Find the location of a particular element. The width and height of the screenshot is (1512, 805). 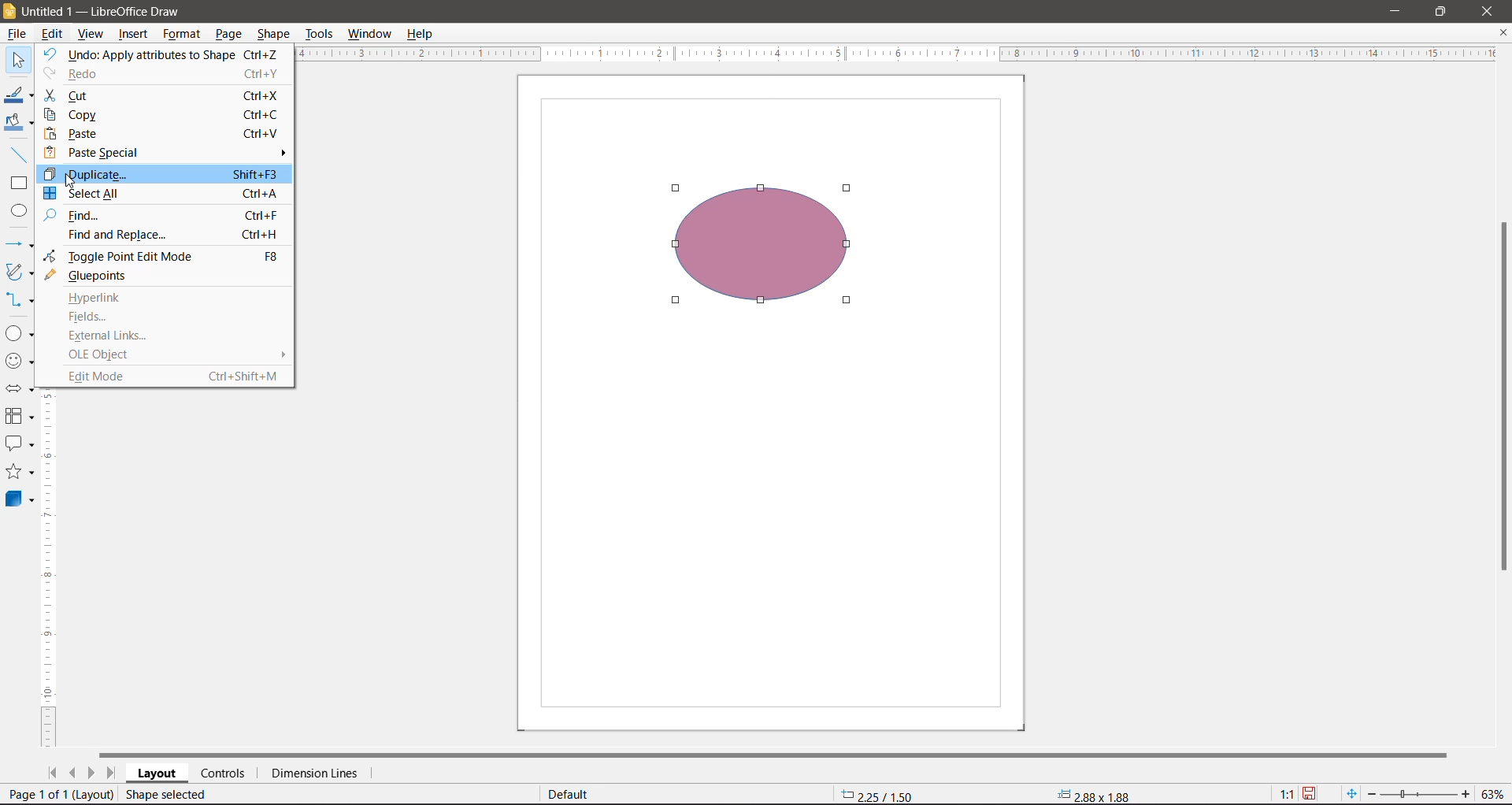

Basic Shapes is located at coordinates (20, 333).